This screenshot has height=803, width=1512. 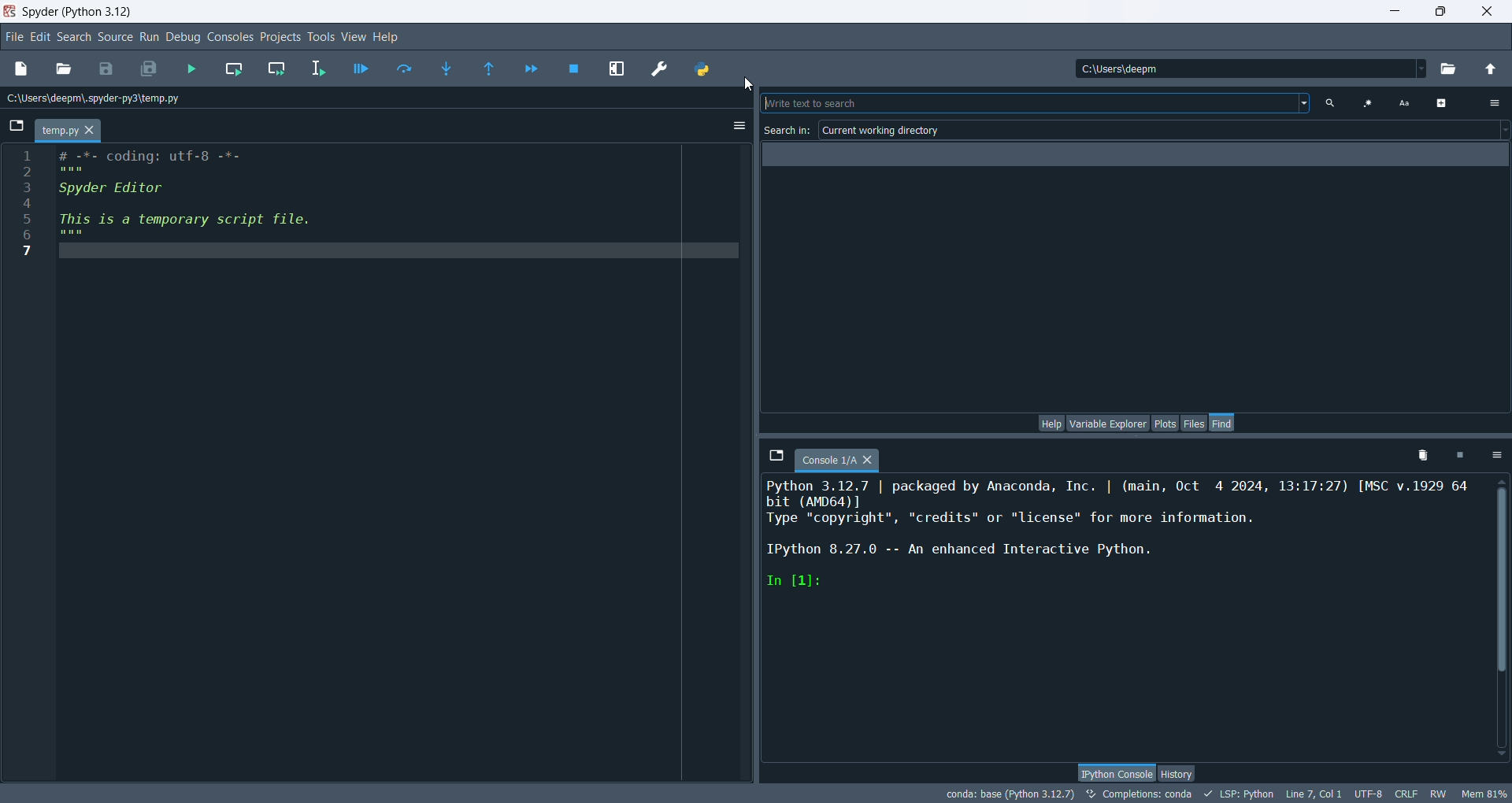 What do you see at coordinates (748, 85) in the screenshot?
I see `cursor` at bounding box center [748, 85].